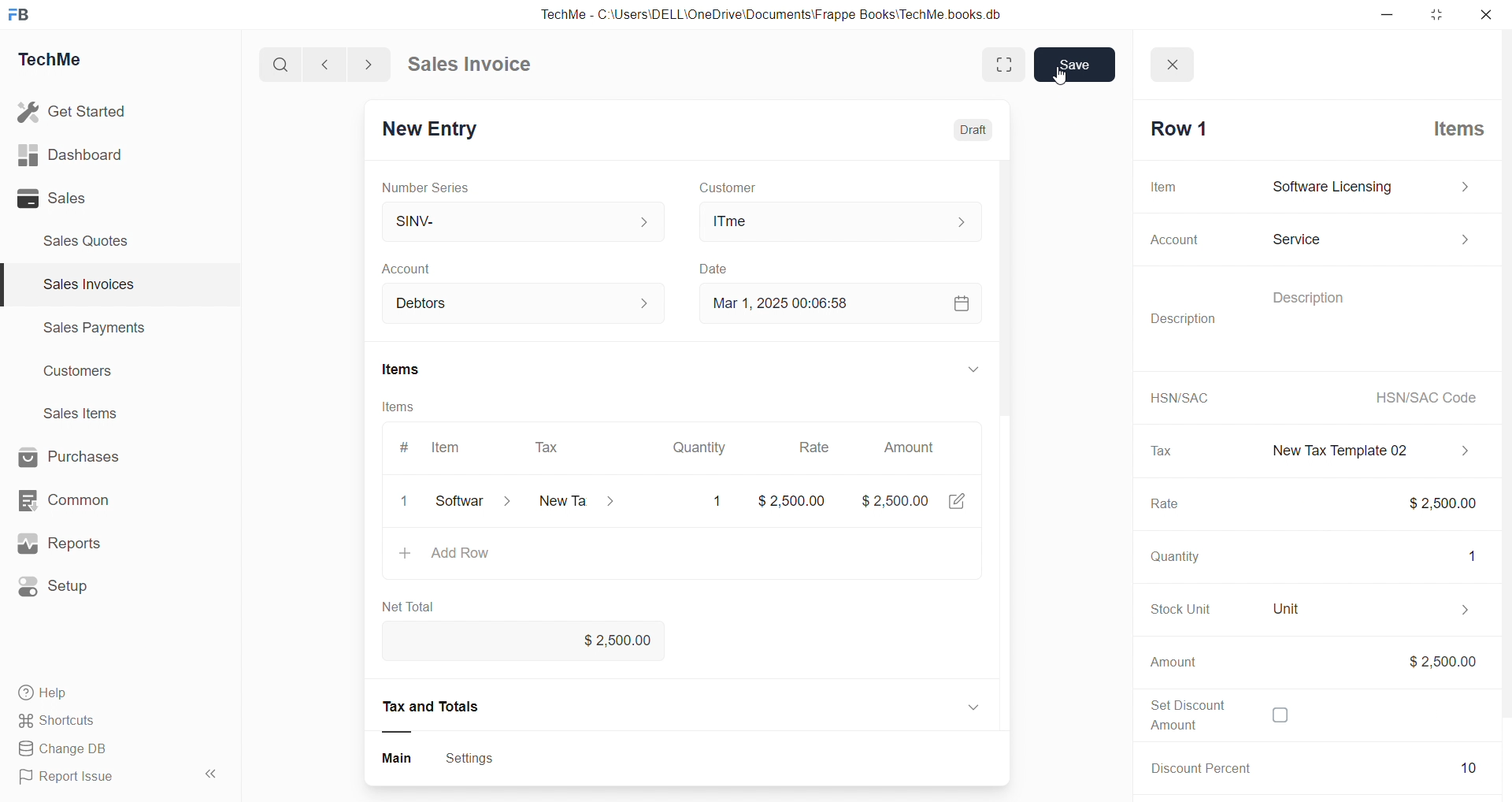 The height and width of the screenshot is (802, 1512). I want to click on & Get Started, so click(74, 110).